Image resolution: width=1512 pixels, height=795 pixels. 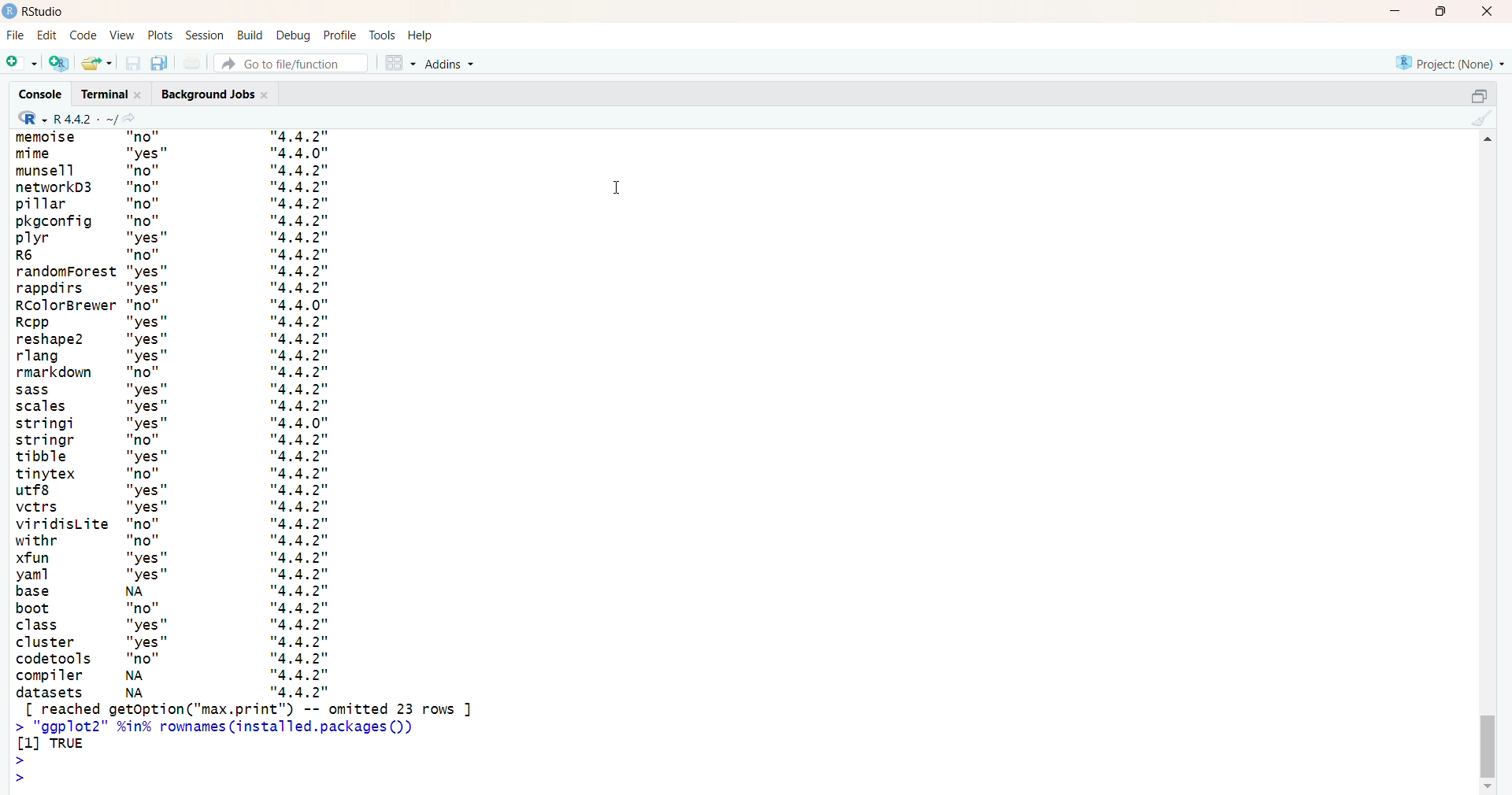 What do you see at coordinates (341, 35) in the screenshot?
I see `profile` at bounding box center [341, 35].